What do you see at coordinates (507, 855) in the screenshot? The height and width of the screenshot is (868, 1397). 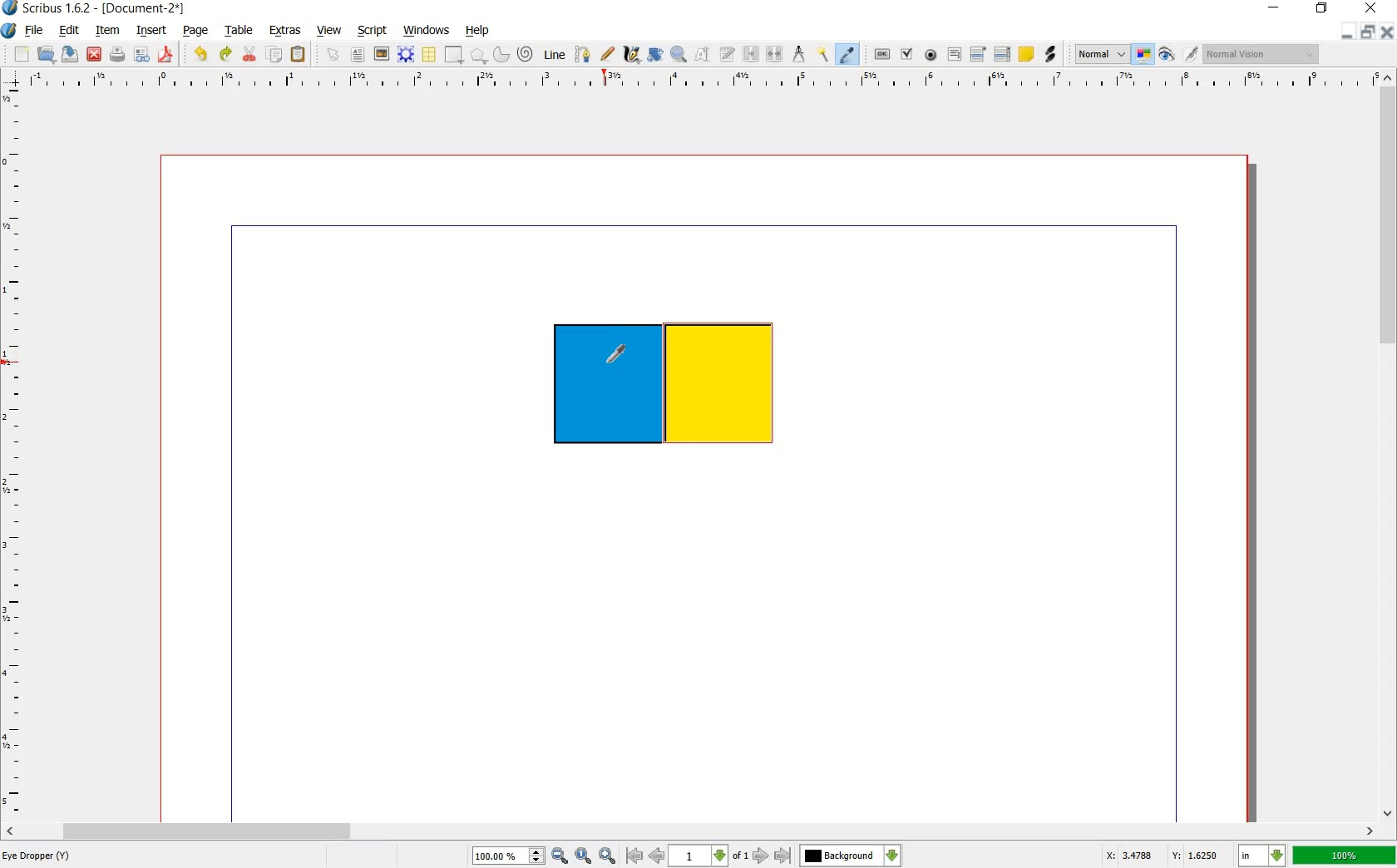 I see `100.00%` at bounding box center [507, 855].